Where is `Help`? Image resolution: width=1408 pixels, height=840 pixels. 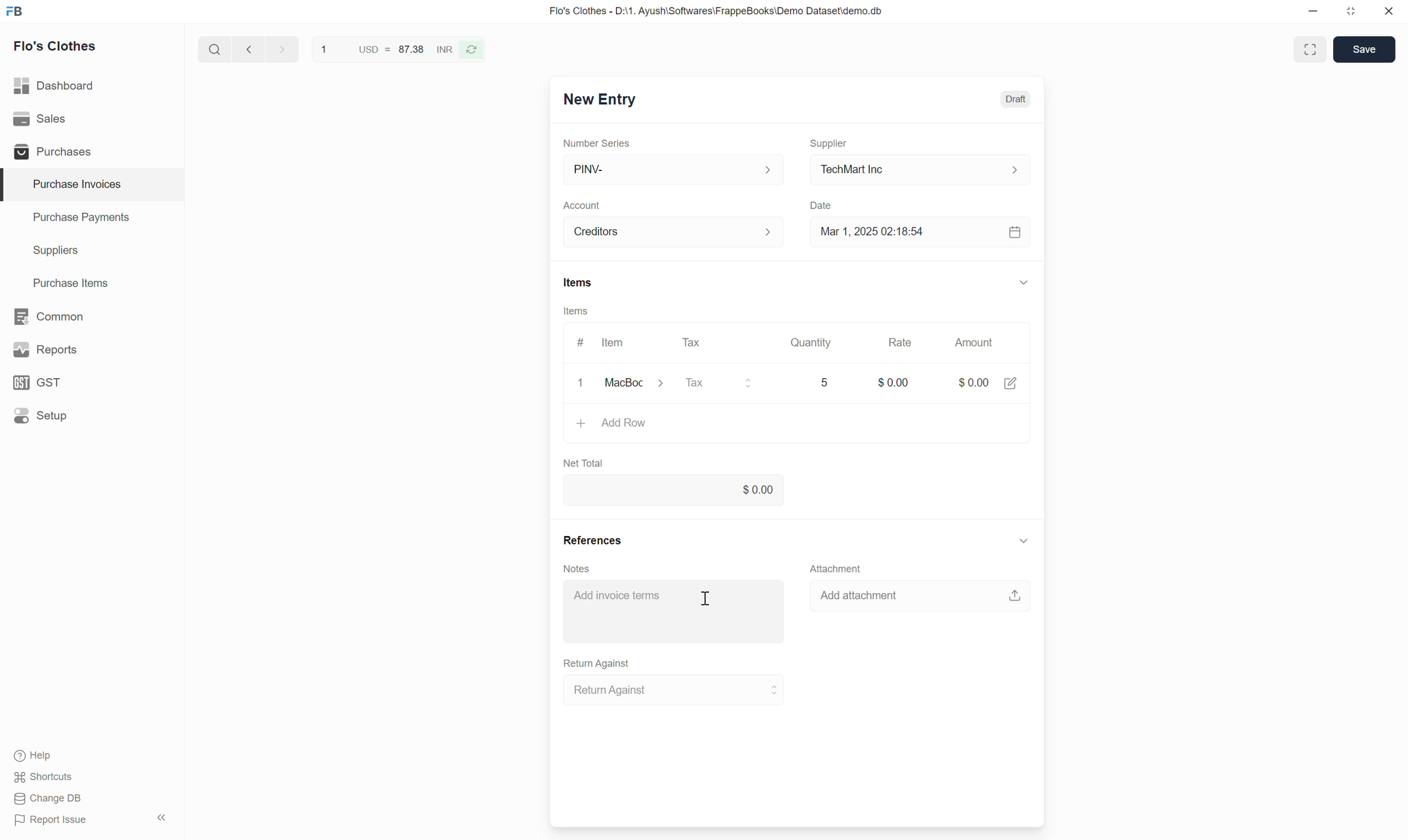 Help is located at coordinates (38, 756).